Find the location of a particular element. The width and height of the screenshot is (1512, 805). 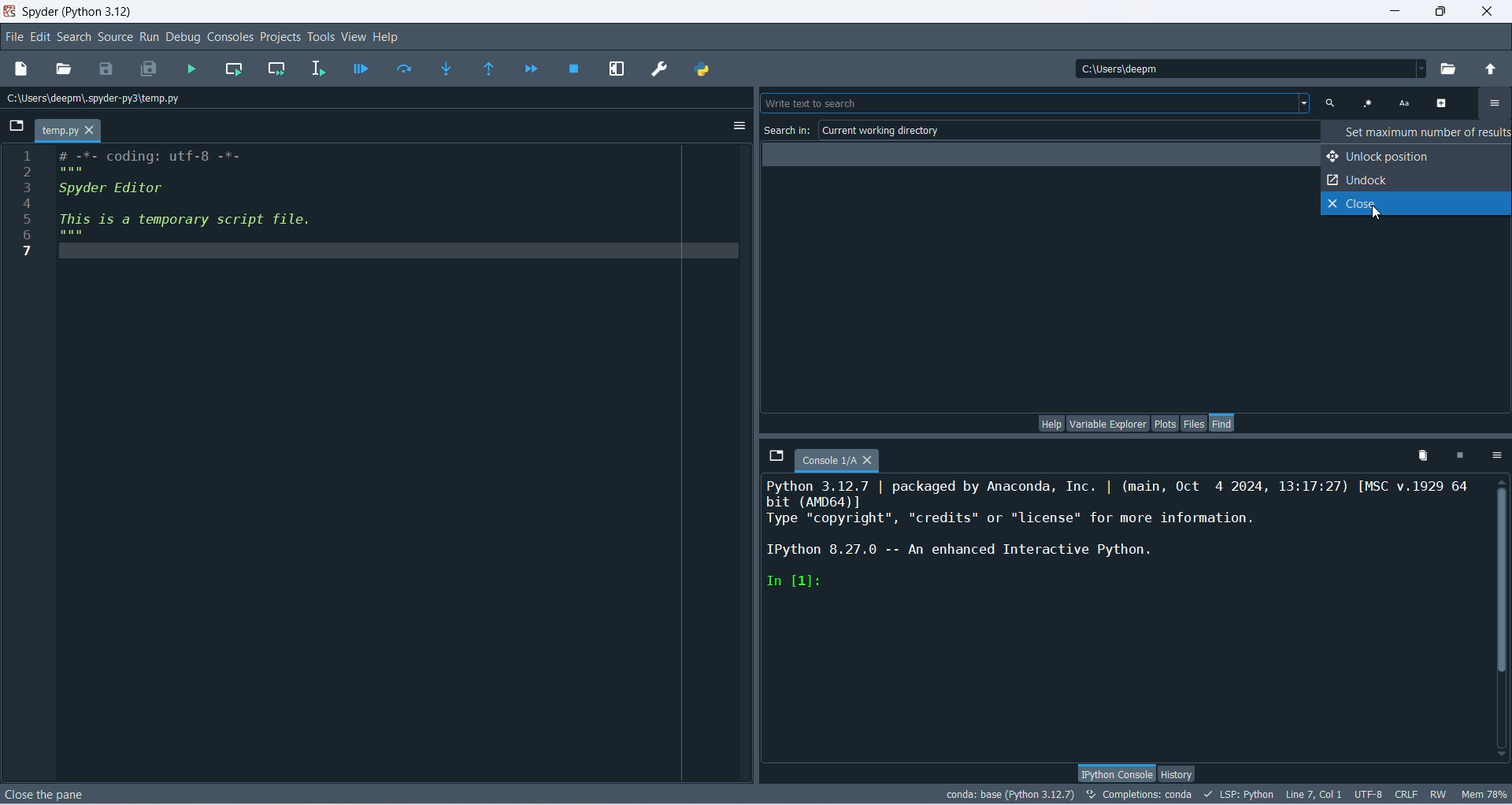

search in is located at coordinates (788, 130).